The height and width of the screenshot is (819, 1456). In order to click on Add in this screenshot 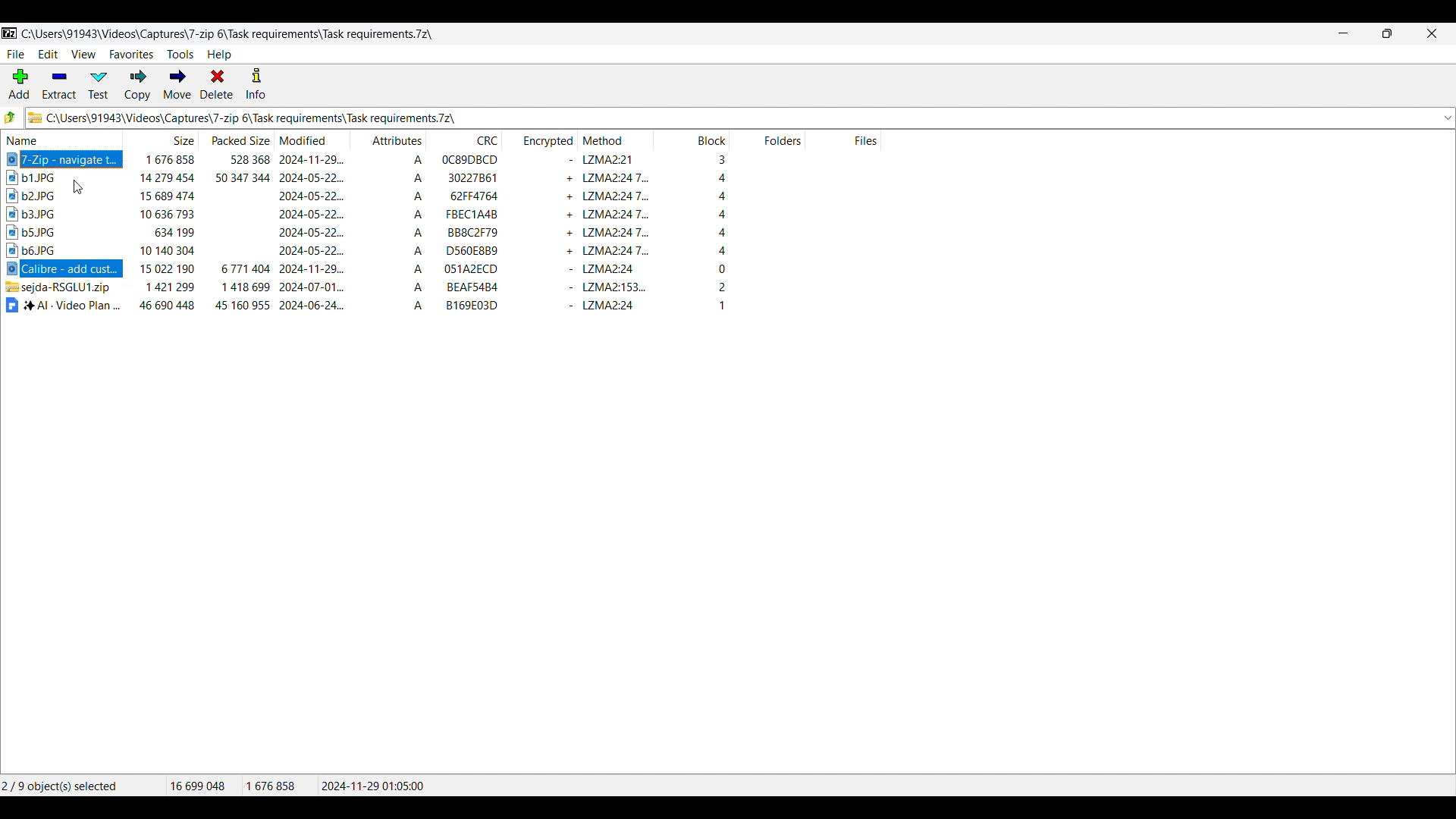, I will do `click(19, 83)`.